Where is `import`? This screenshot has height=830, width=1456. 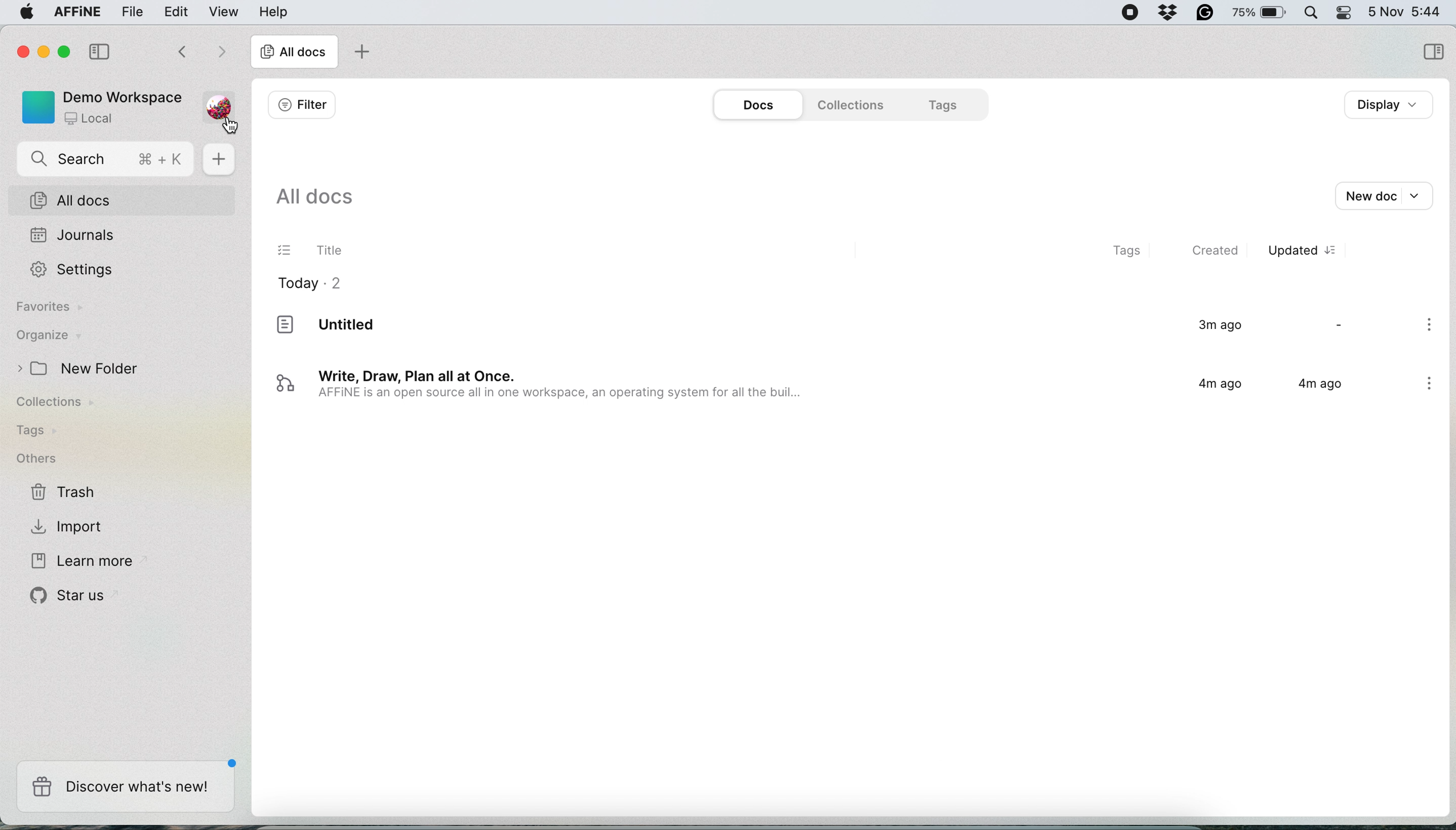 import is located at coordinates (70, 525).